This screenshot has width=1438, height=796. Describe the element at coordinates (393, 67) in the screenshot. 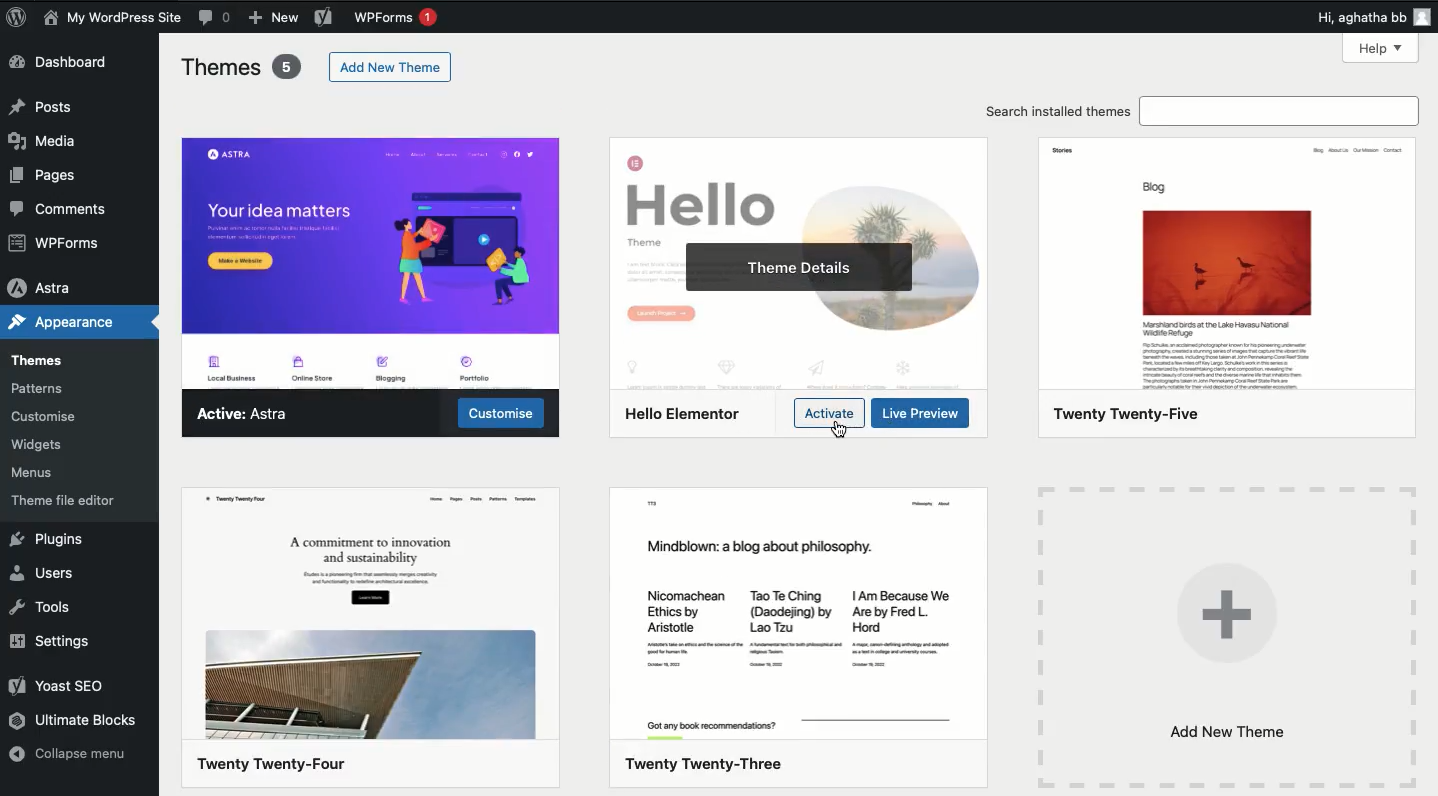

I see `Add new theme` at that location.